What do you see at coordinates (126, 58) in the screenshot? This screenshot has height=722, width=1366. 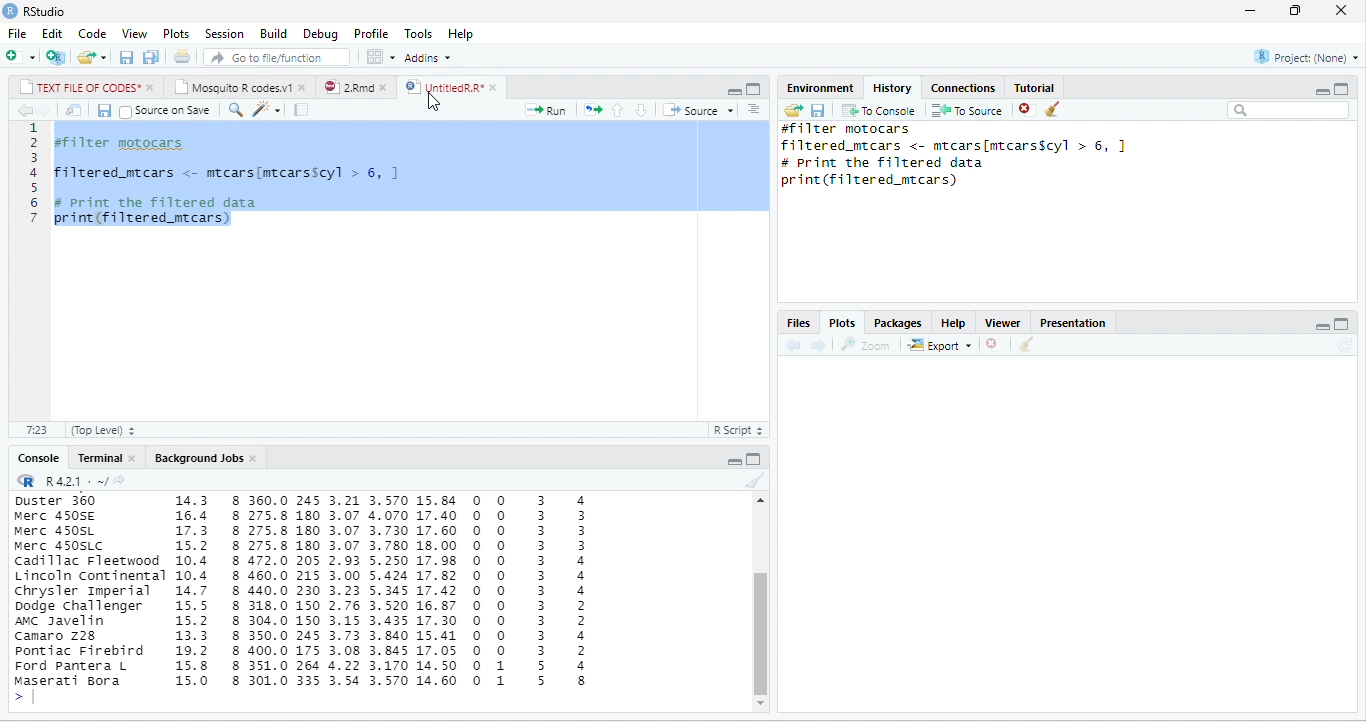 I see `save` at bounding box center [126, 58].